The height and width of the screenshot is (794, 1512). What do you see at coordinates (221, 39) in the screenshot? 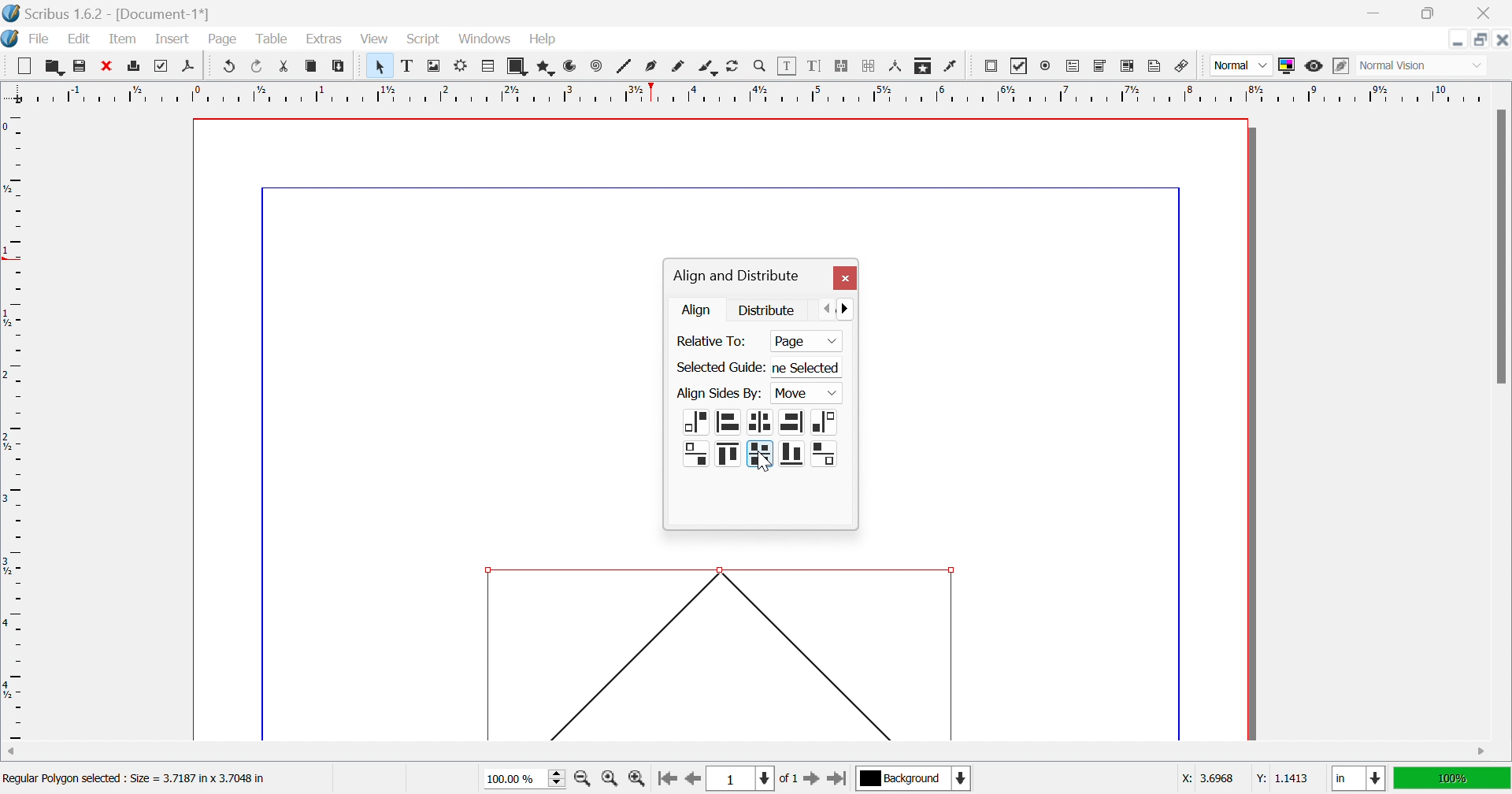
I see `Page` at bounding box center [221, 39].